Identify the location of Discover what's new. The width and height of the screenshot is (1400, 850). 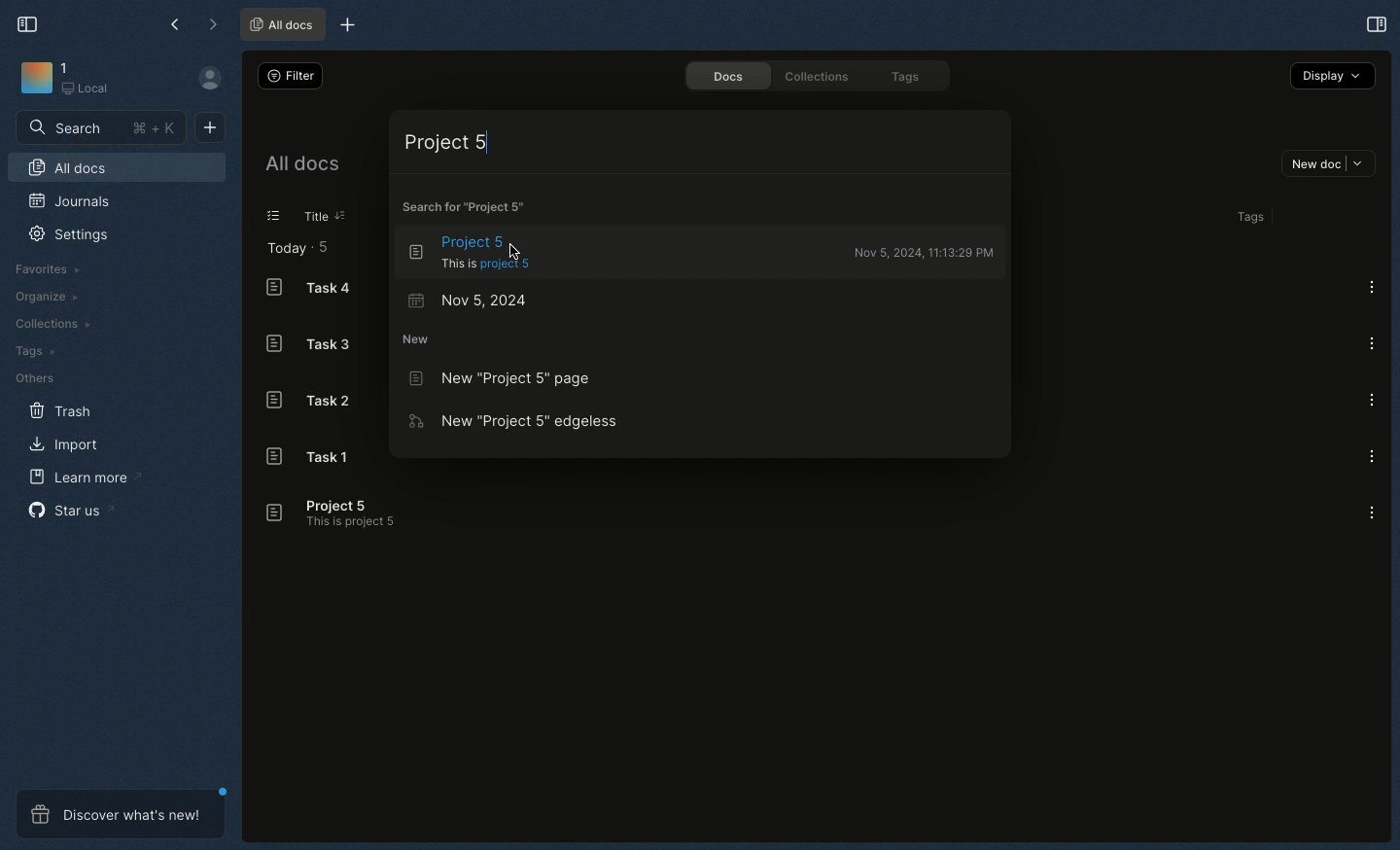
(120, 812).